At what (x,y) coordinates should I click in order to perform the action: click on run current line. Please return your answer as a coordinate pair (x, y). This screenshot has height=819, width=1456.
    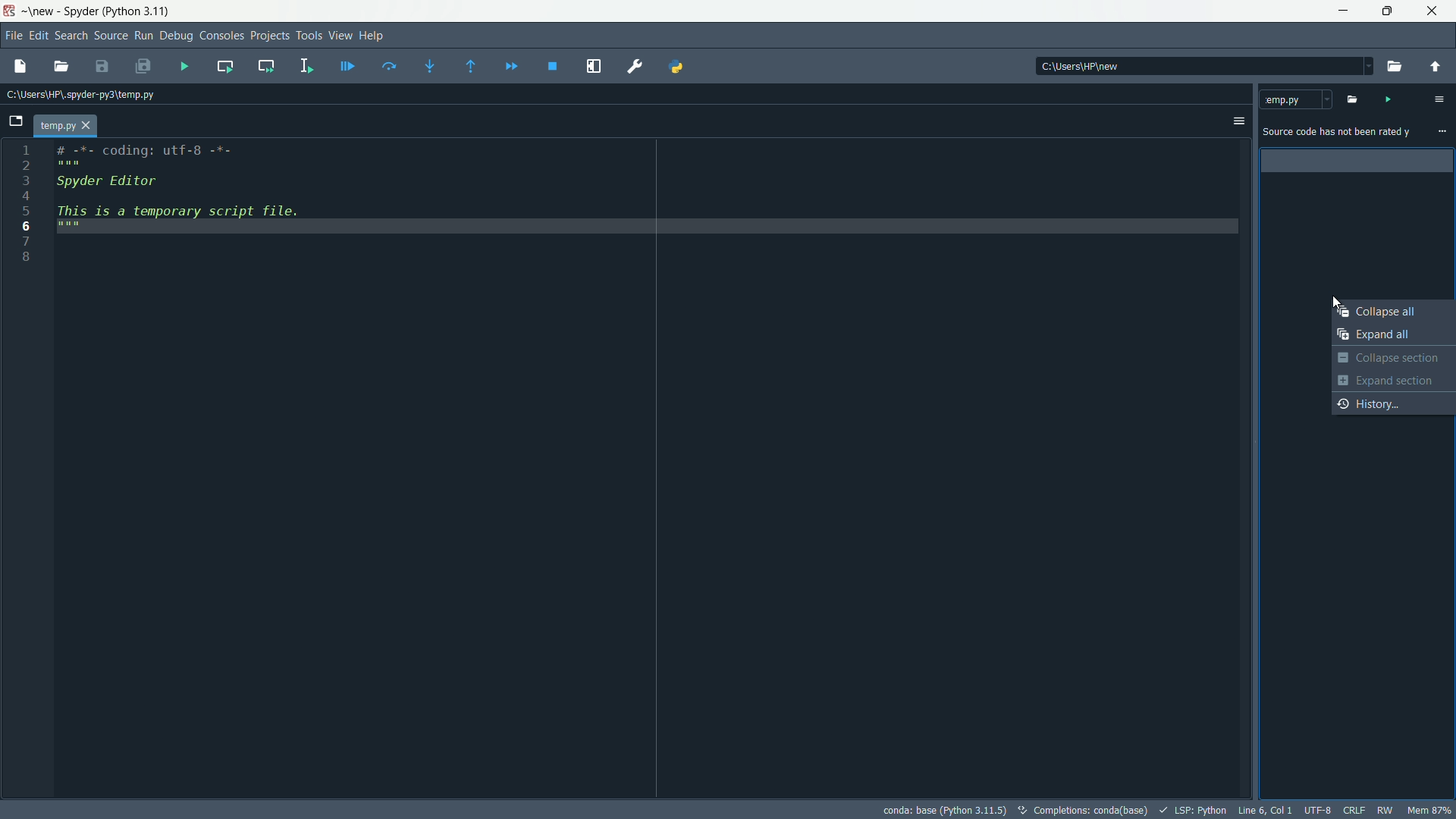
    Looking at the image, I should click on (391, 67).